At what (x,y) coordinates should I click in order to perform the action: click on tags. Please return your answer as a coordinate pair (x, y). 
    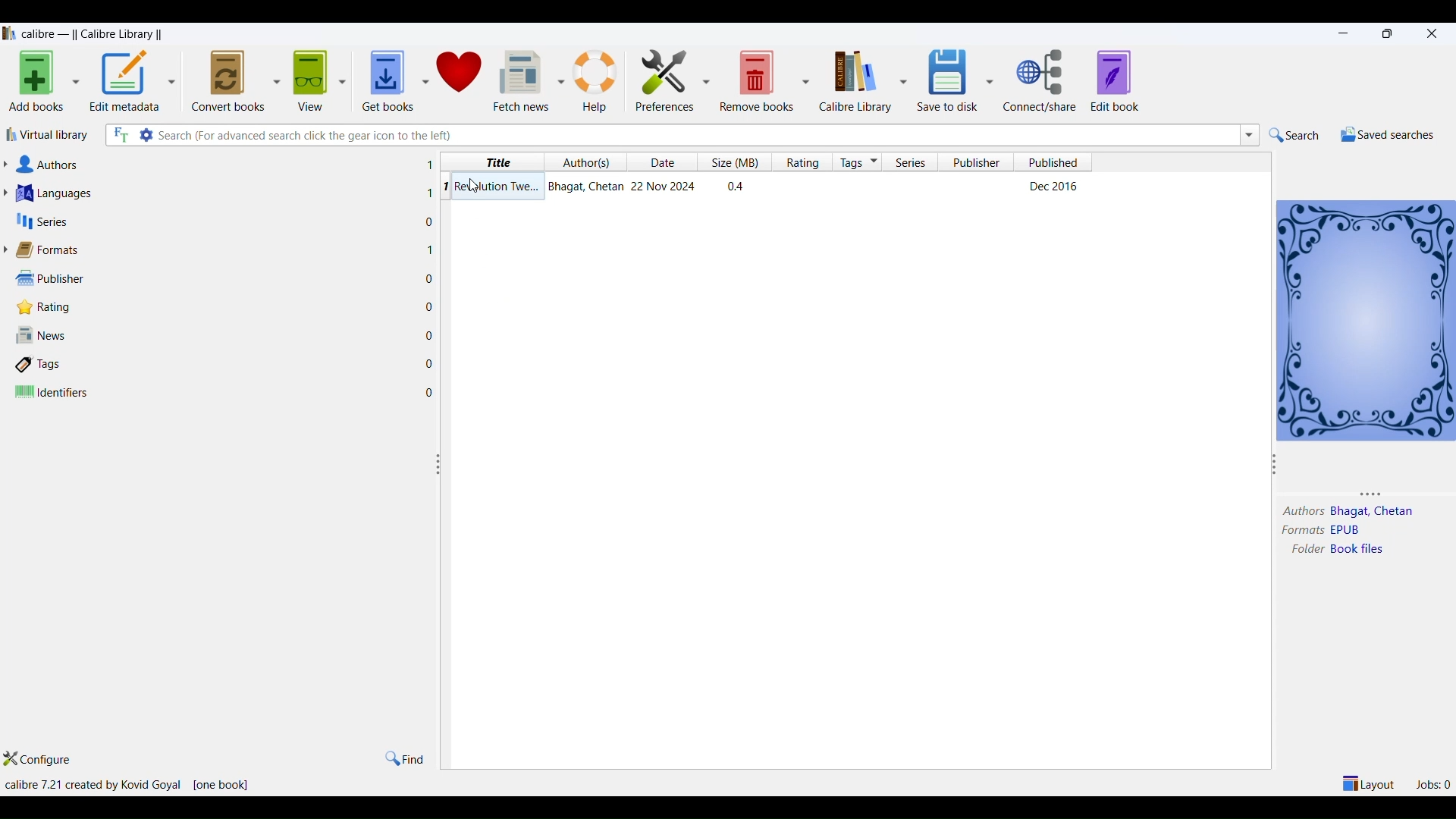
    Looking at the image, I should click on (858, 162).